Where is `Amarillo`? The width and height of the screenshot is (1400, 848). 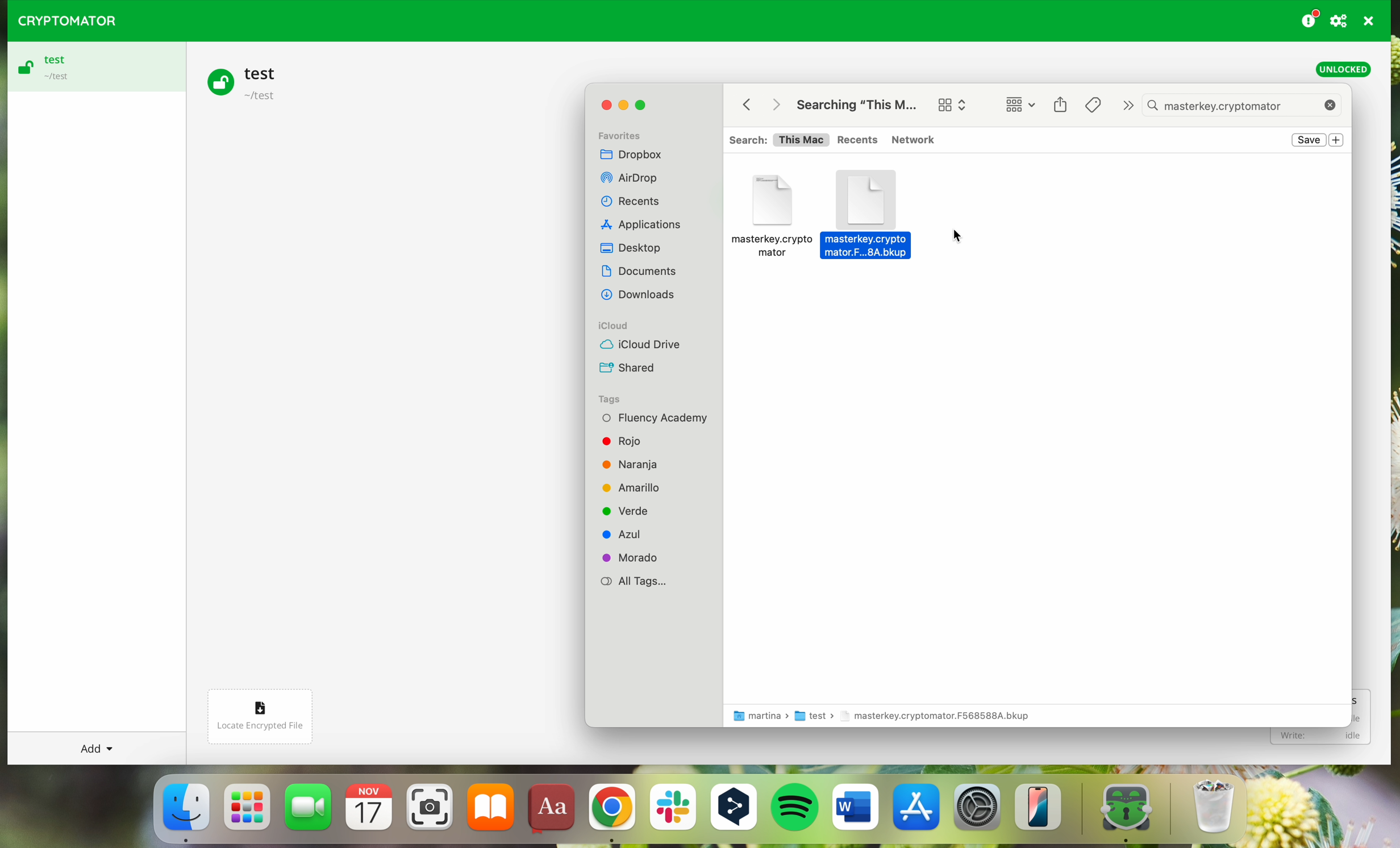 Amarillo is located at coordinates (641, 487).